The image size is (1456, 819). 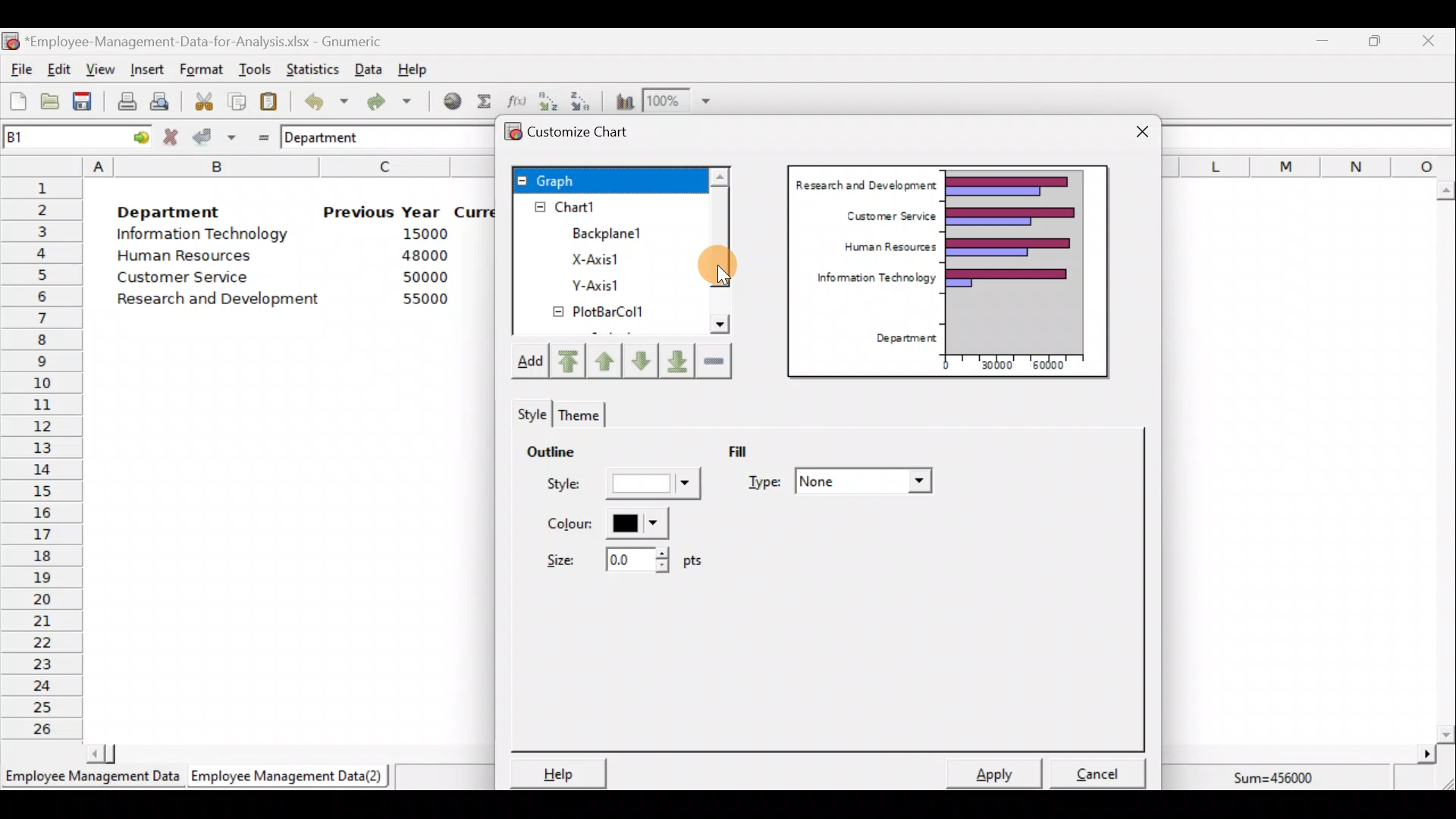 What do you see at coordinates (215, 136) in the screenshot?
I see `Accept change` at bounding box center [215, 136].